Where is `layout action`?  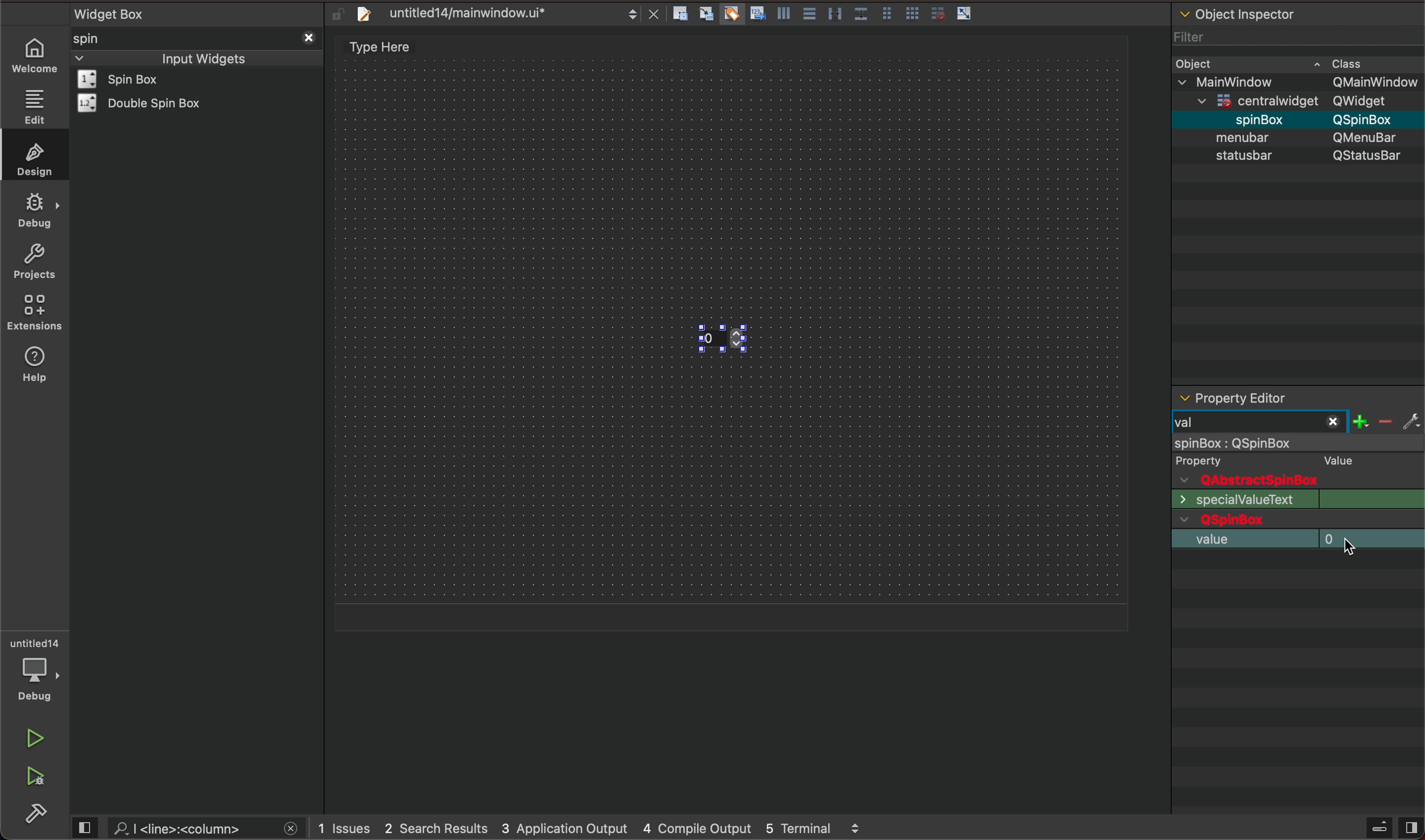
layout action is located at coordinates (827, 11).